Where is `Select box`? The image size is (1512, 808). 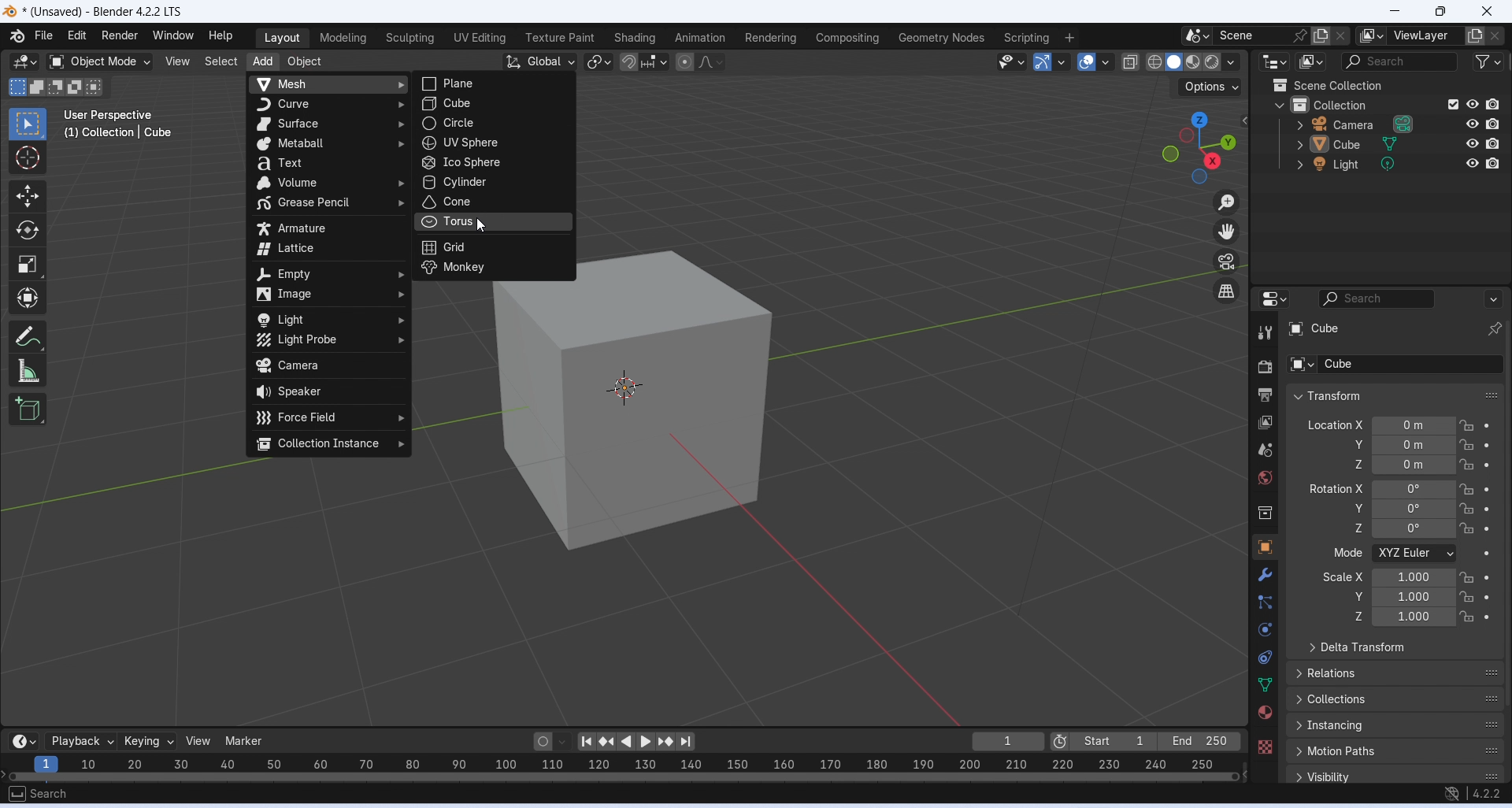
Select box is located at coordinates (28, 124).